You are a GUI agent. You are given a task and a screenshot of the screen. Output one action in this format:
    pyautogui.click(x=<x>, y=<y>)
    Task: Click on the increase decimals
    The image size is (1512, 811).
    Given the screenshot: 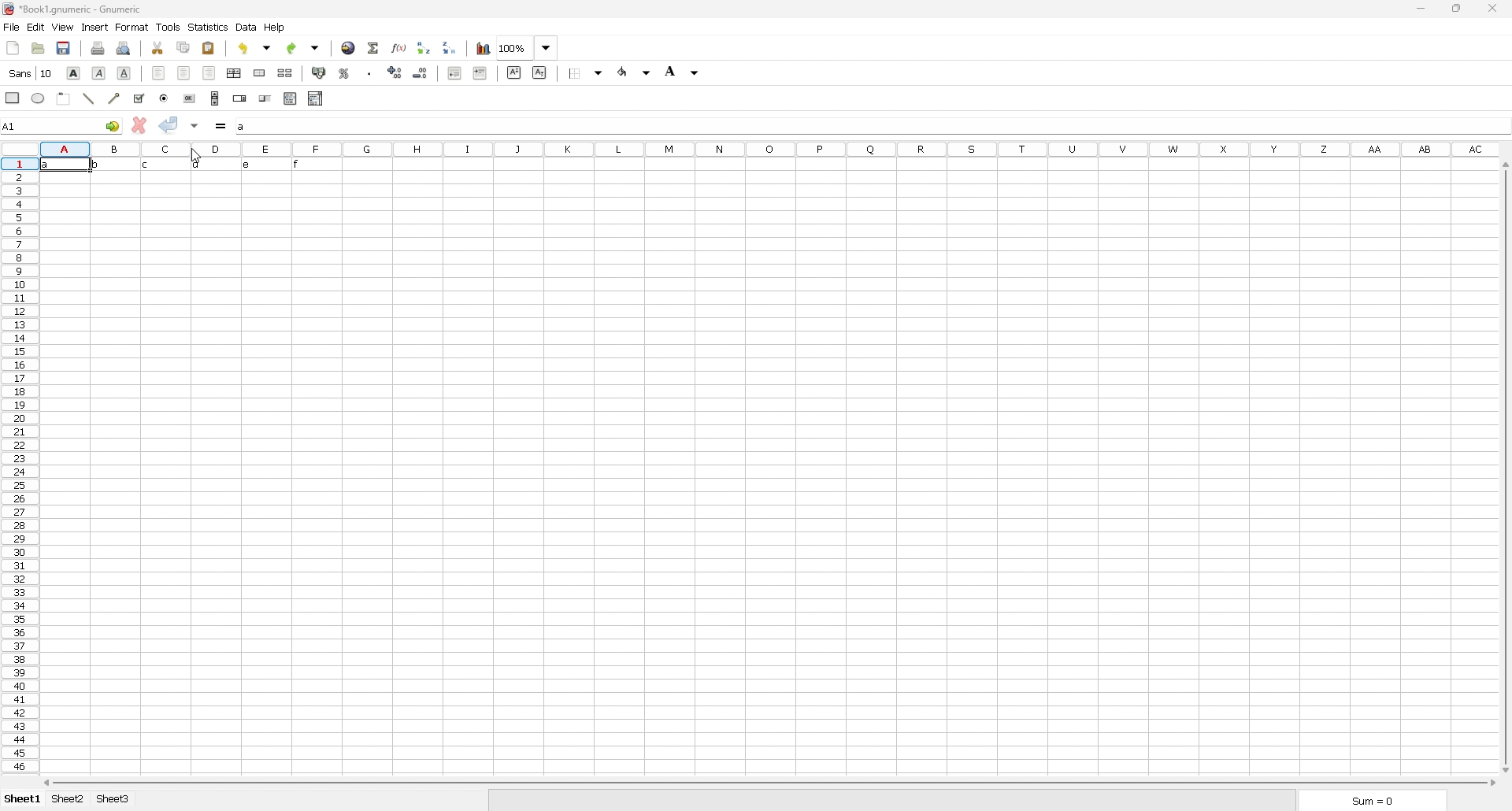 What is the action you would take?
    pyautogui.click(x=396, y=72)
    